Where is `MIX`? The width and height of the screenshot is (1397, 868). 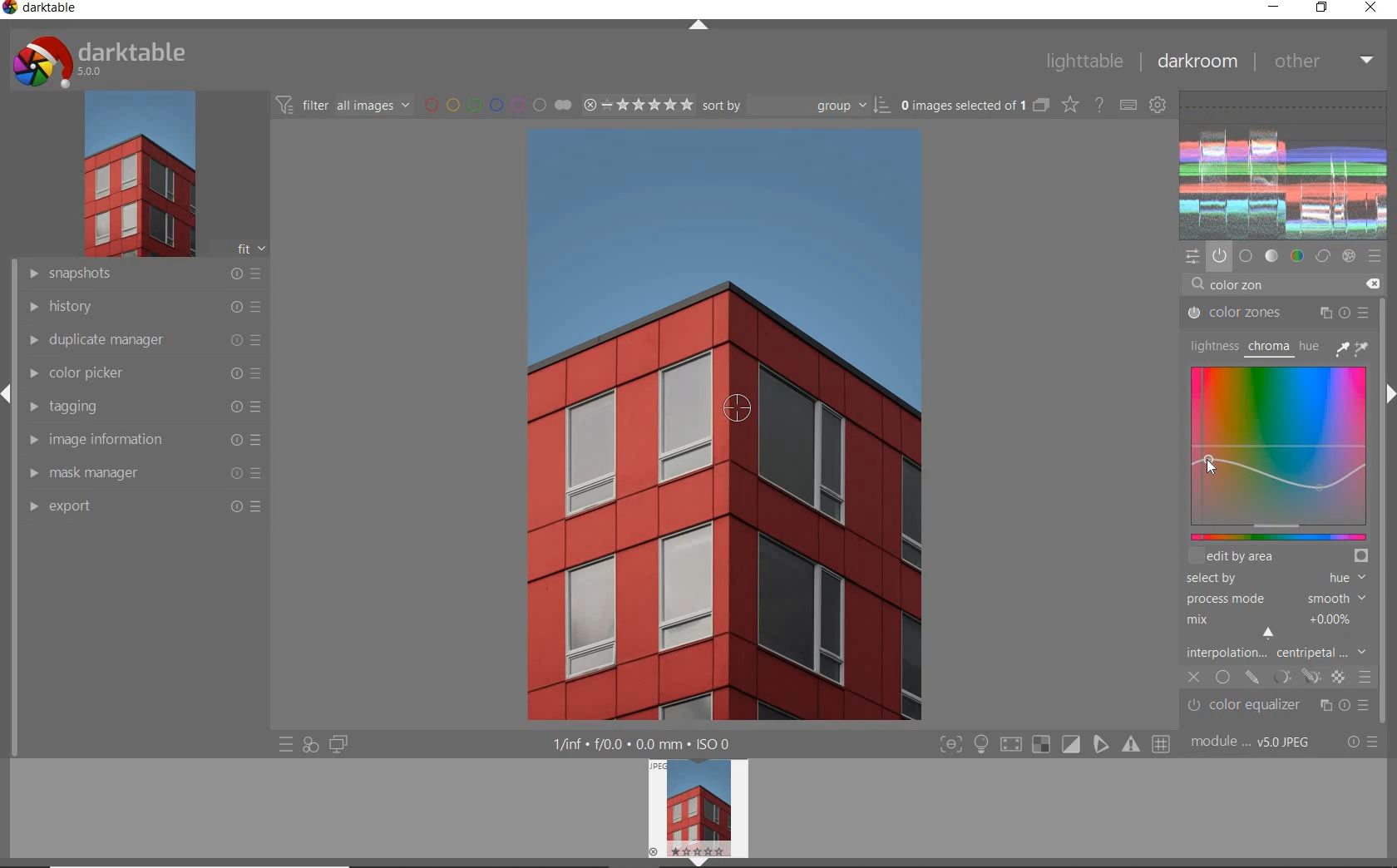
MIX is located at coordinates (1272, 623).